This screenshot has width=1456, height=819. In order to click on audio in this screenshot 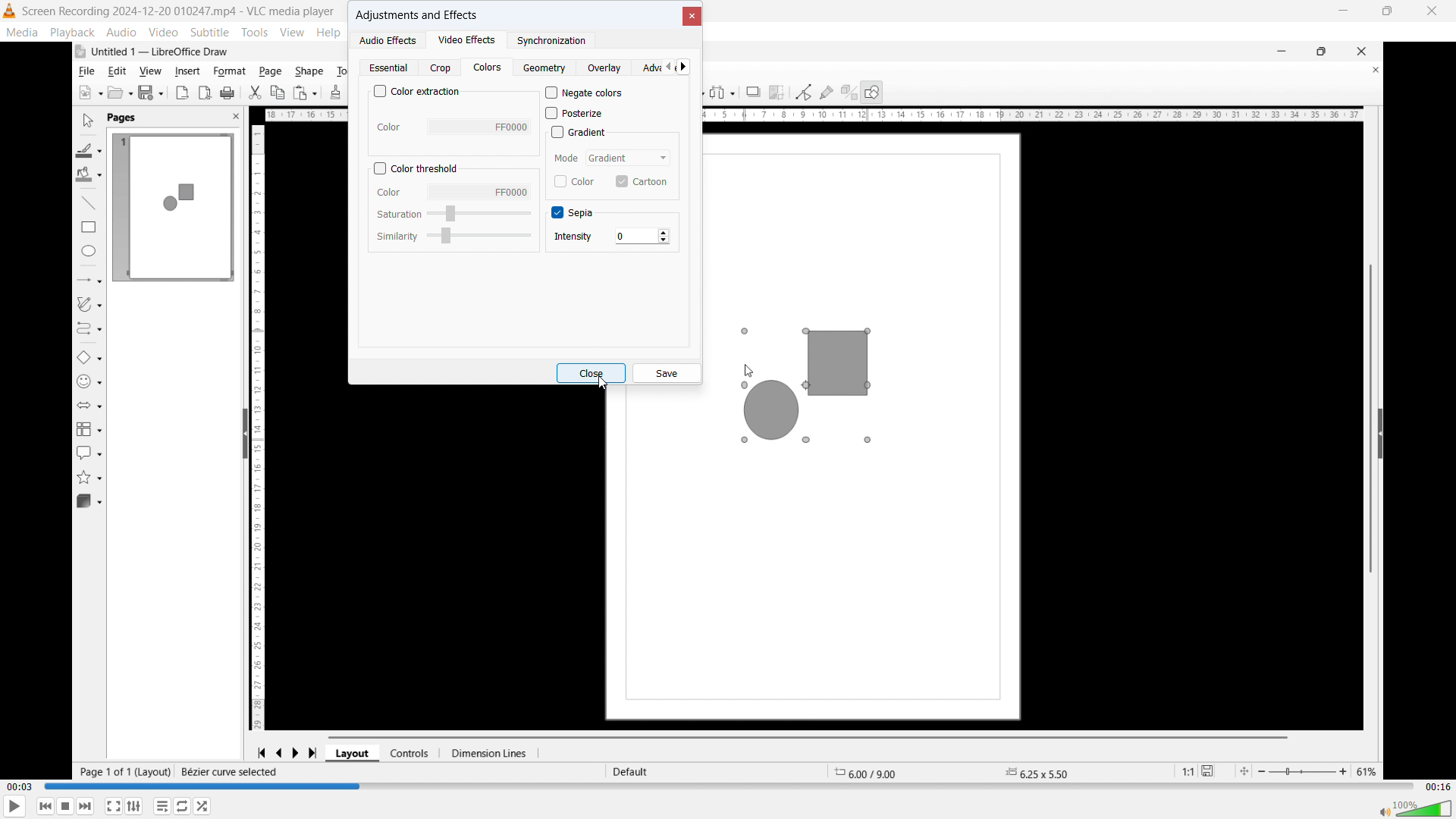, I will do `click(121, 33)`.